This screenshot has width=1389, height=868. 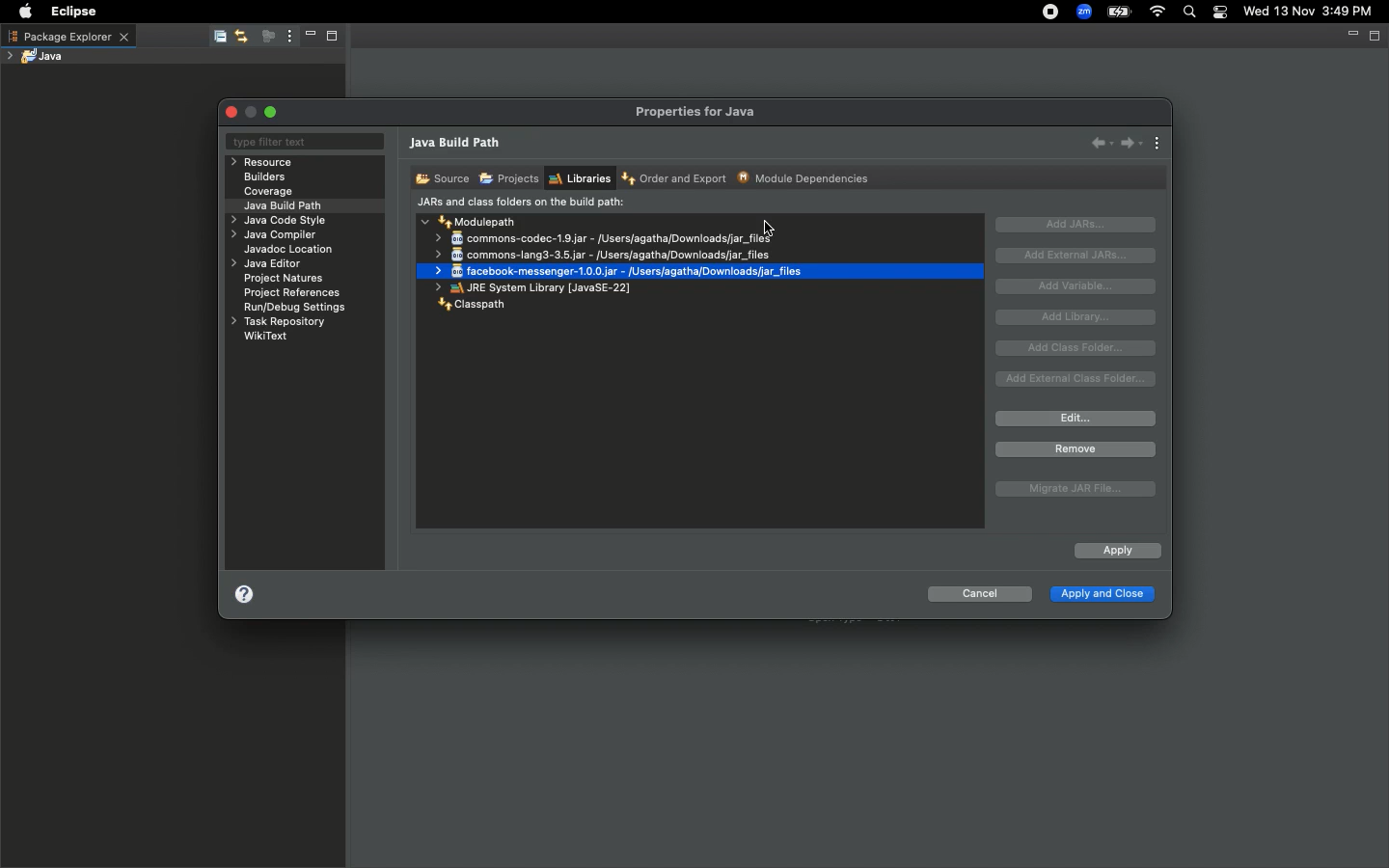 I want to click on Order and export, so click(x=676, y=179).